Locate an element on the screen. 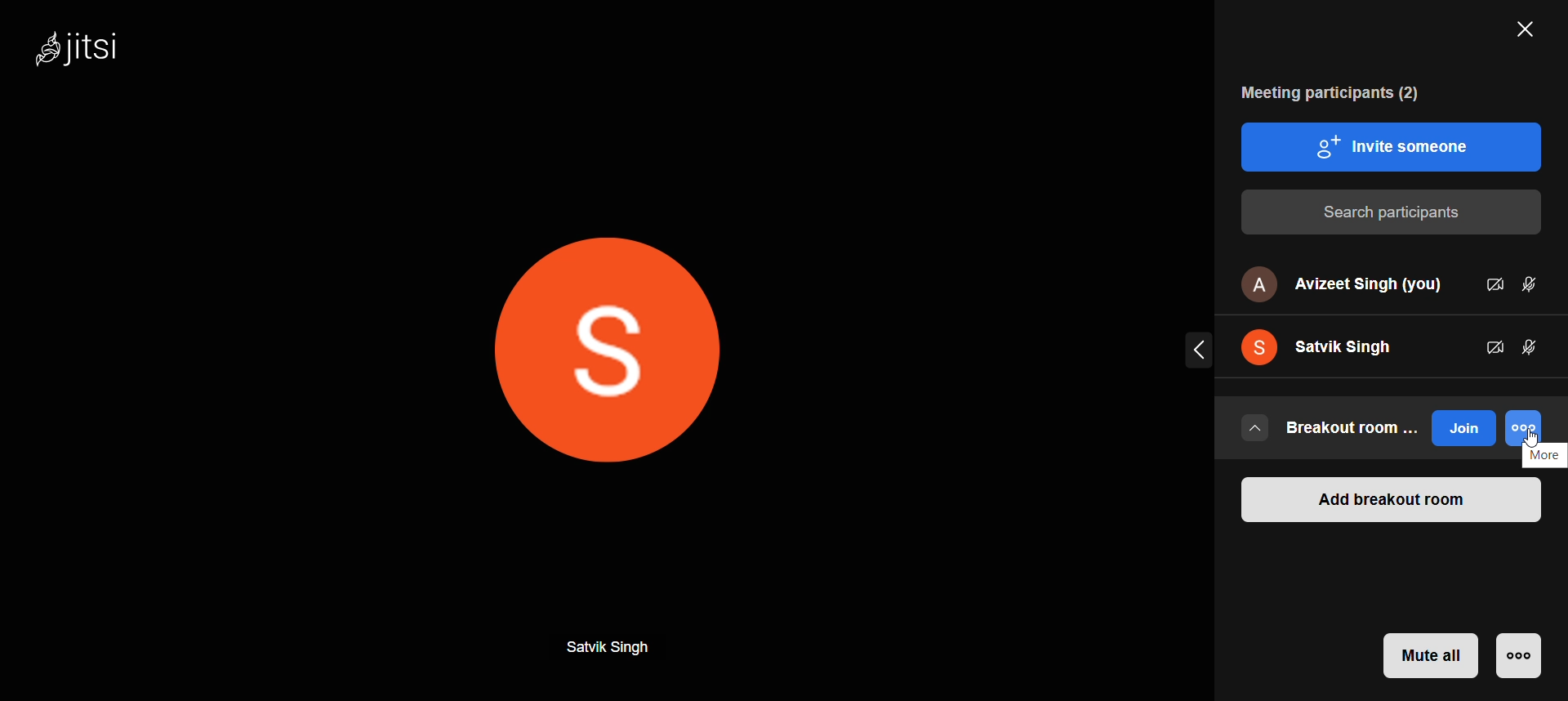  mic status is located at coordinates (1539, 278).